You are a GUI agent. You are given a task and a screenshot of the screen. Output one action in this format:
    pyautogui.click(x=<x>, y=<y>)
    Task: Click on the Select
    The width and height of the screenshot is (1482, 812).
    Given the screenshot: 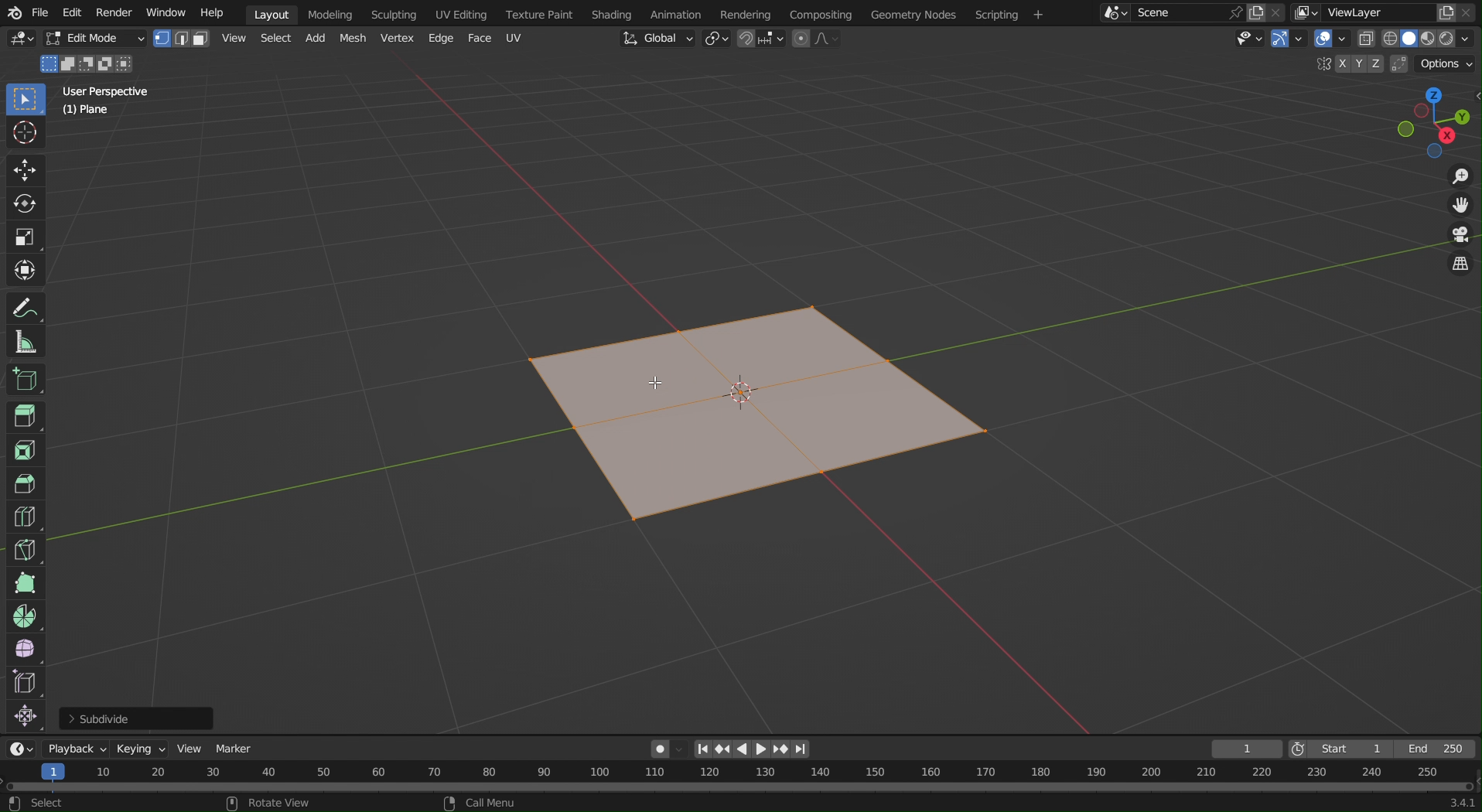 What is the action you would take?
    pyautogui.click(x=38, y=804)
    